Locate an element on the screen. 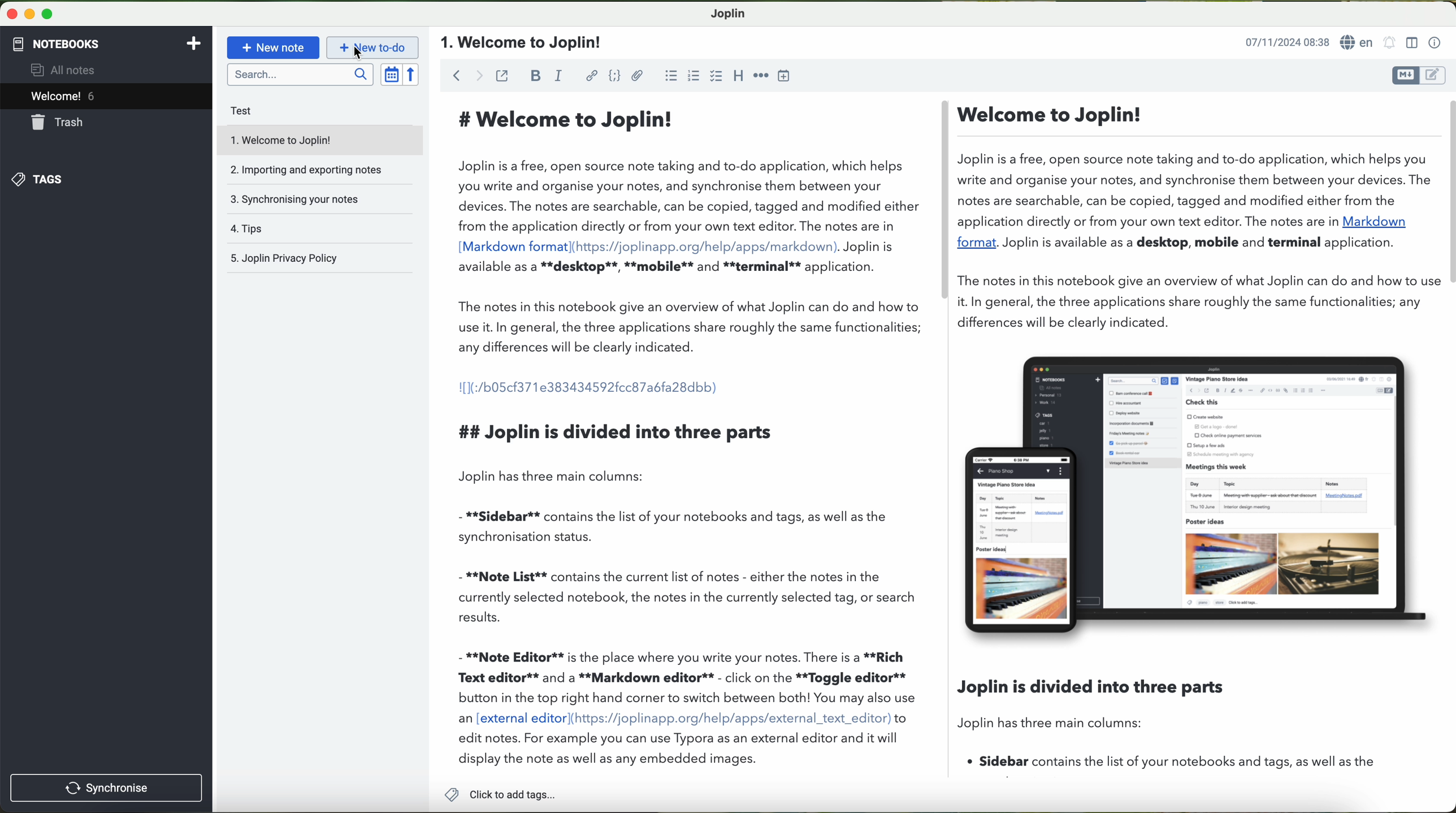  synchronising your notes is located at coordinates (298, 200).